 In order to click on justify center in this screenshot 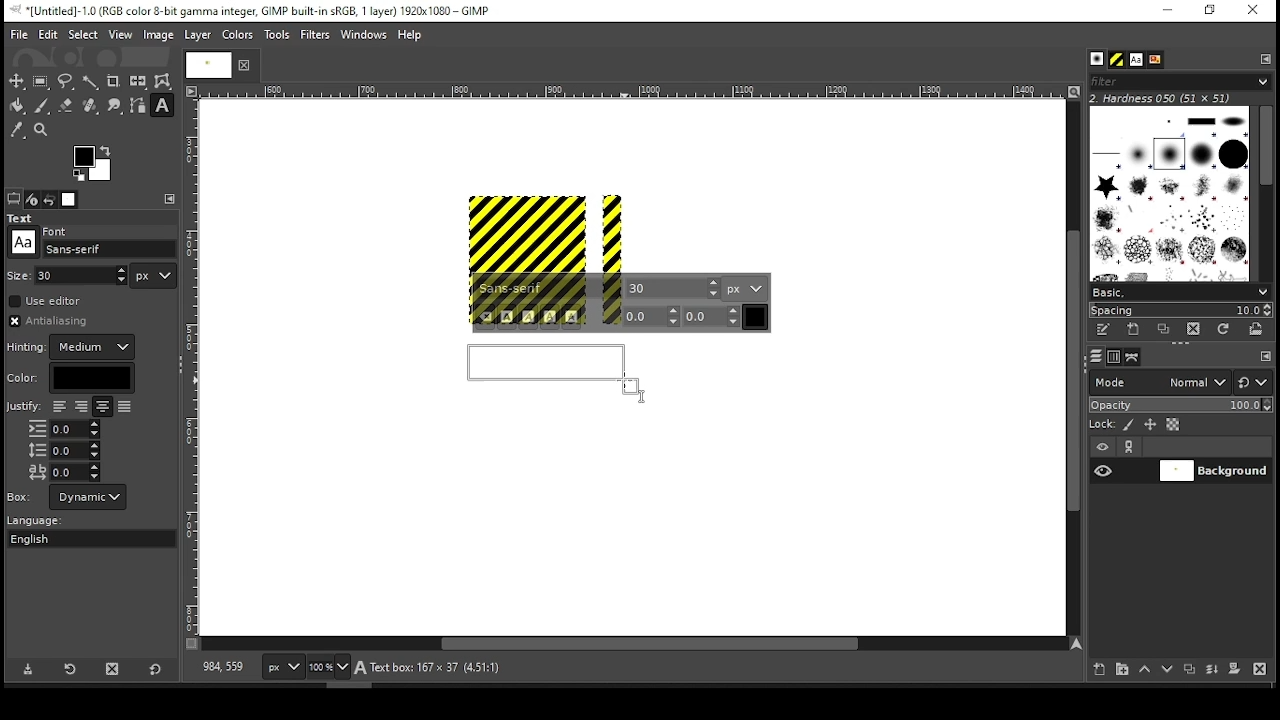, I will do `click(102, 407)`.